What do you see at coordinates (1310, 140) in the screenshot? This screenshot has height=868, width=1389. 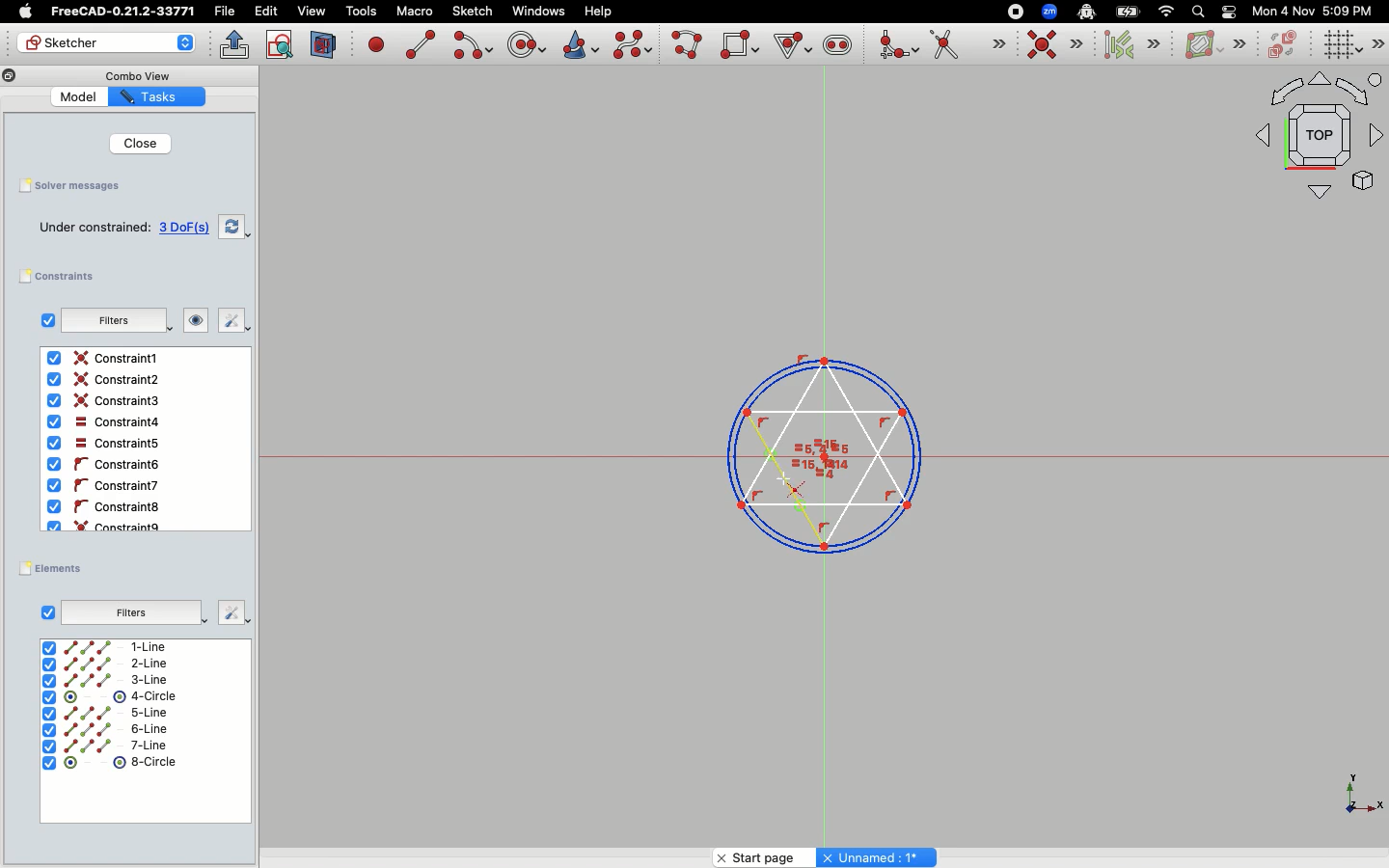 I see `Top` at bounding box center [1310, 140].